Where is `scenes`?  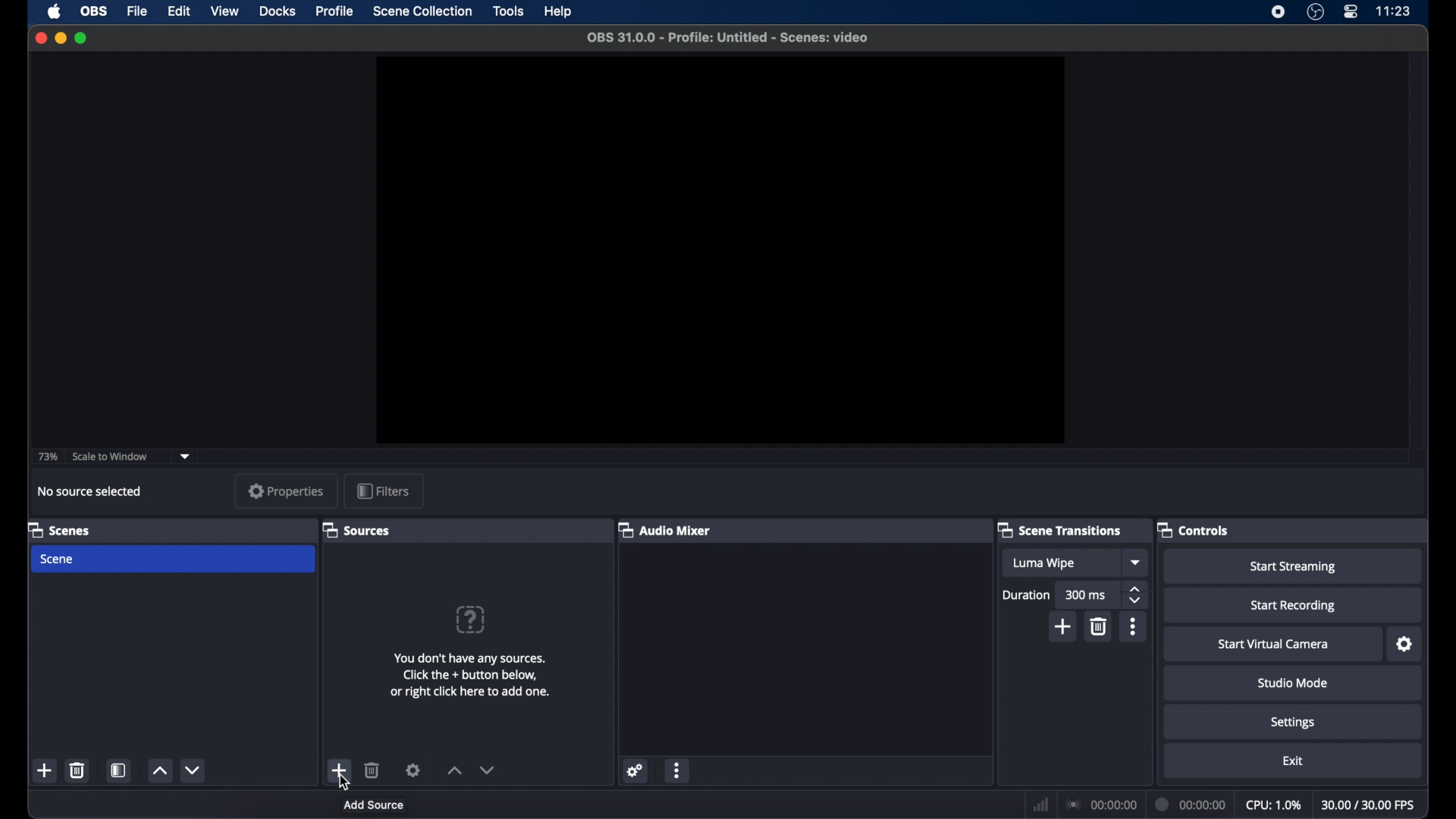
scenes is located at coordinates (60, 529).